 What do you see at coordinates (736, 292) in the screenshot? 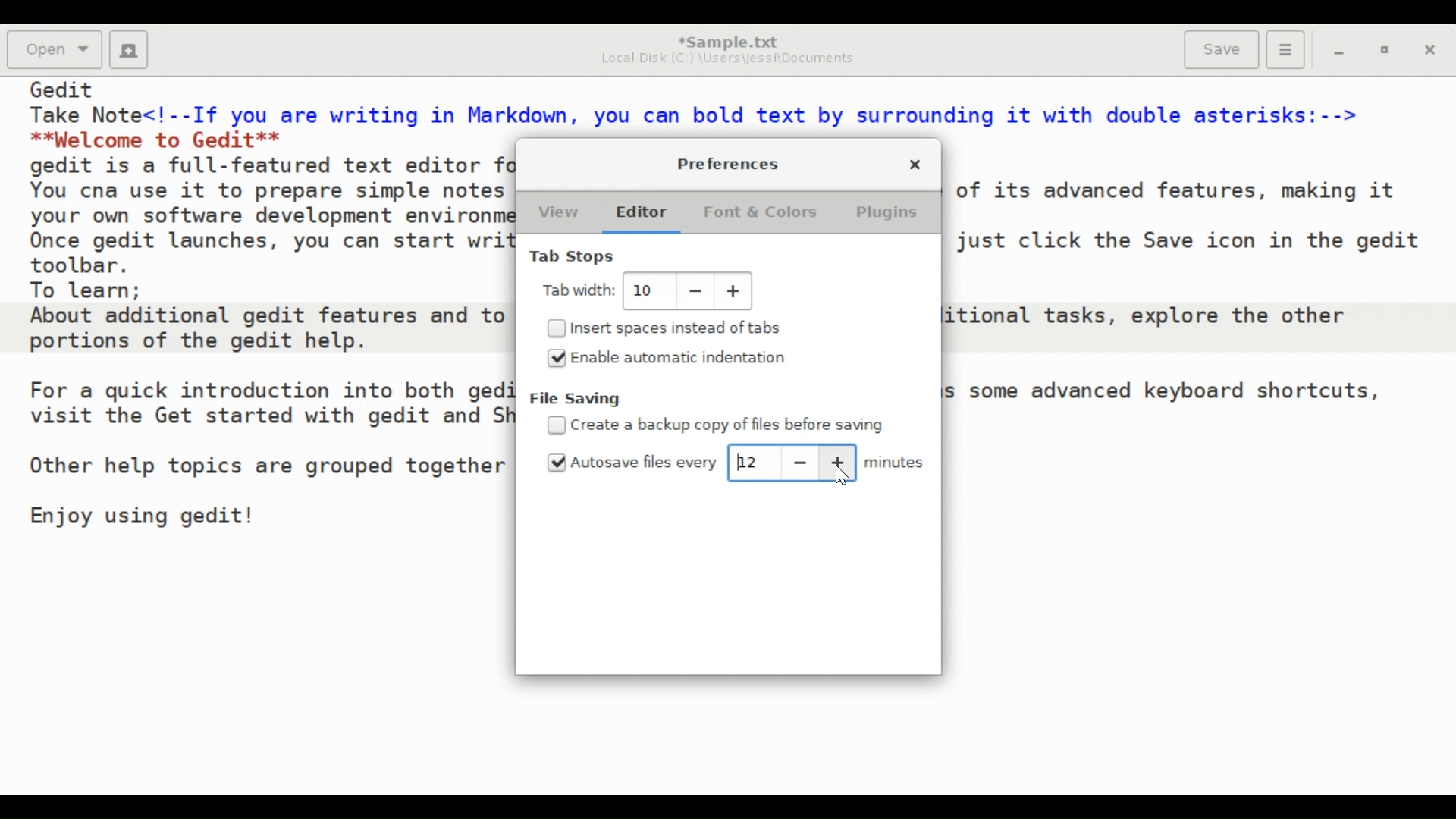
I see `incresase ` at bounding box center [736, 292].